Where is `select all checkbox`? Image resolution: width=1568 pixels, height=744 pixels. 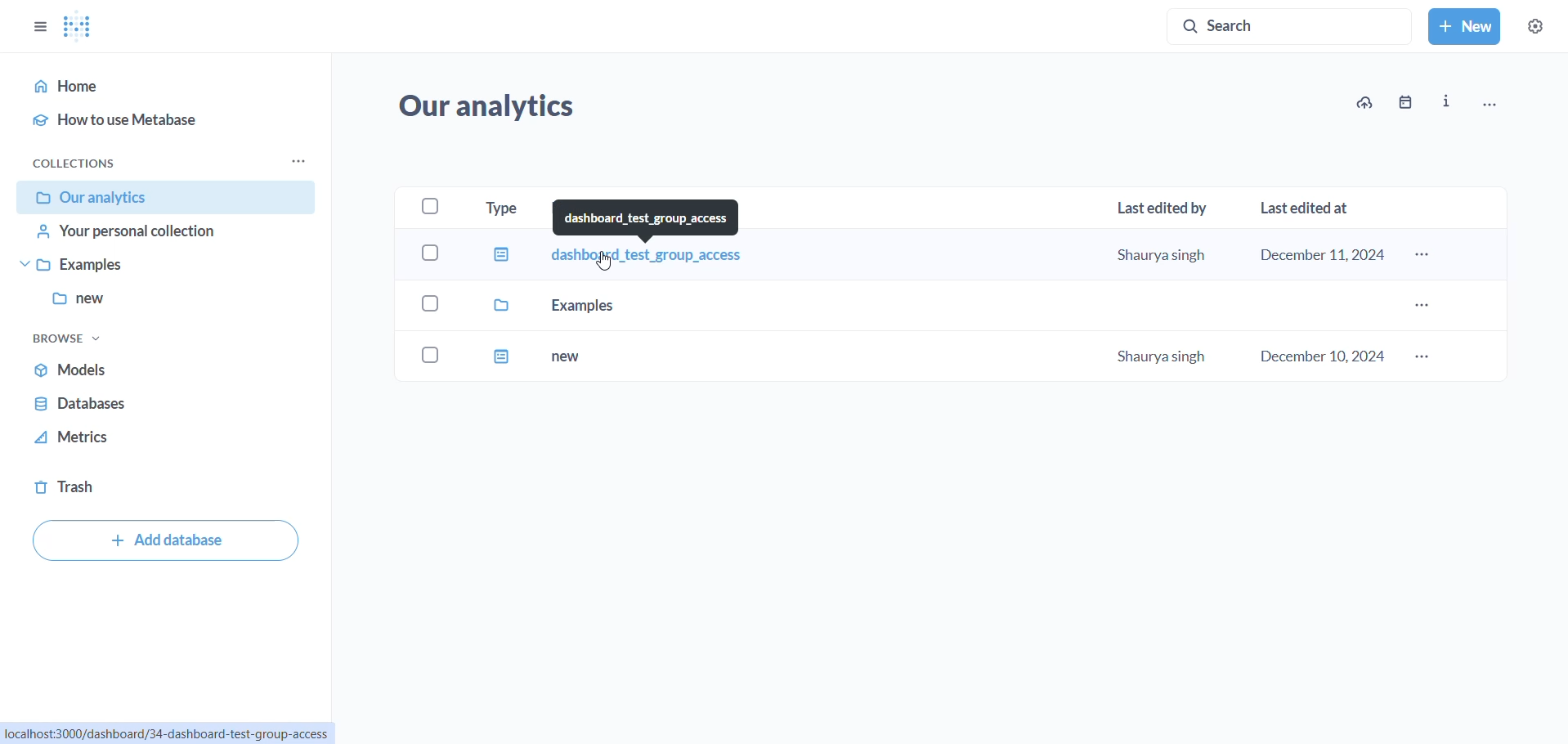
select all checkbox is located at coordinates (428, 208).